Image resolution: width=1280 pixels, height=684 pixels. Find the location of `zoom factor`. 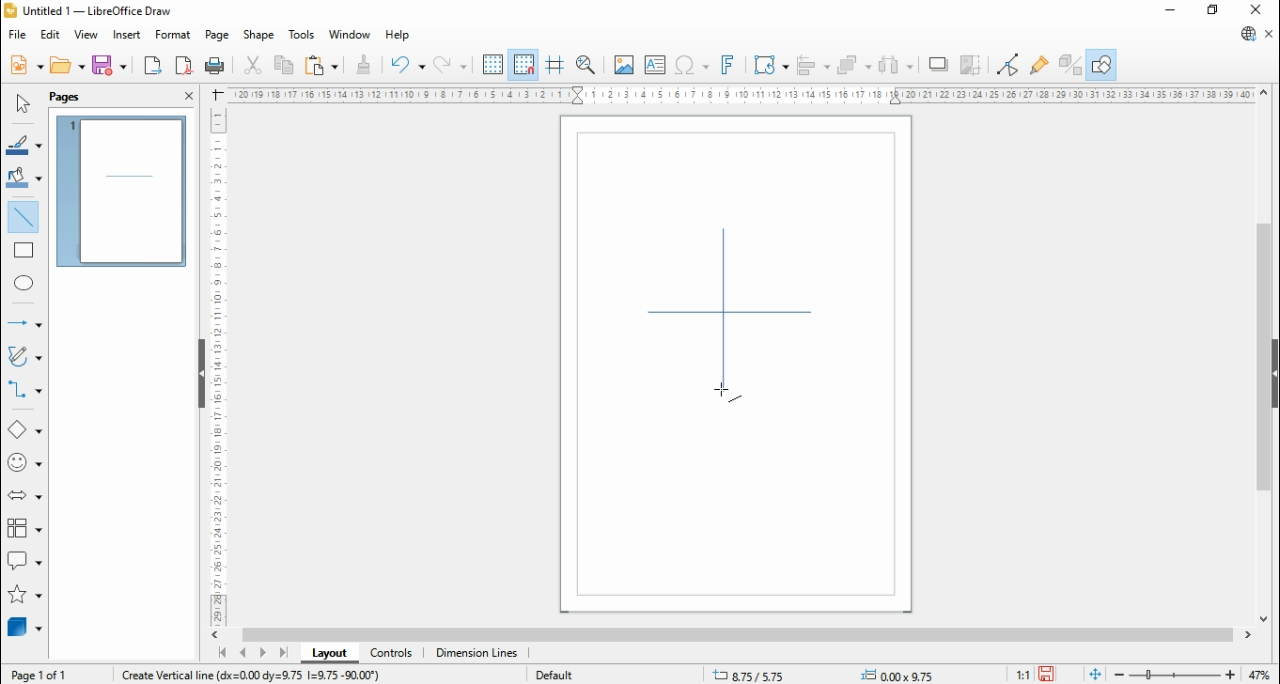

zoom factor is located at coordinates (1262, 674).